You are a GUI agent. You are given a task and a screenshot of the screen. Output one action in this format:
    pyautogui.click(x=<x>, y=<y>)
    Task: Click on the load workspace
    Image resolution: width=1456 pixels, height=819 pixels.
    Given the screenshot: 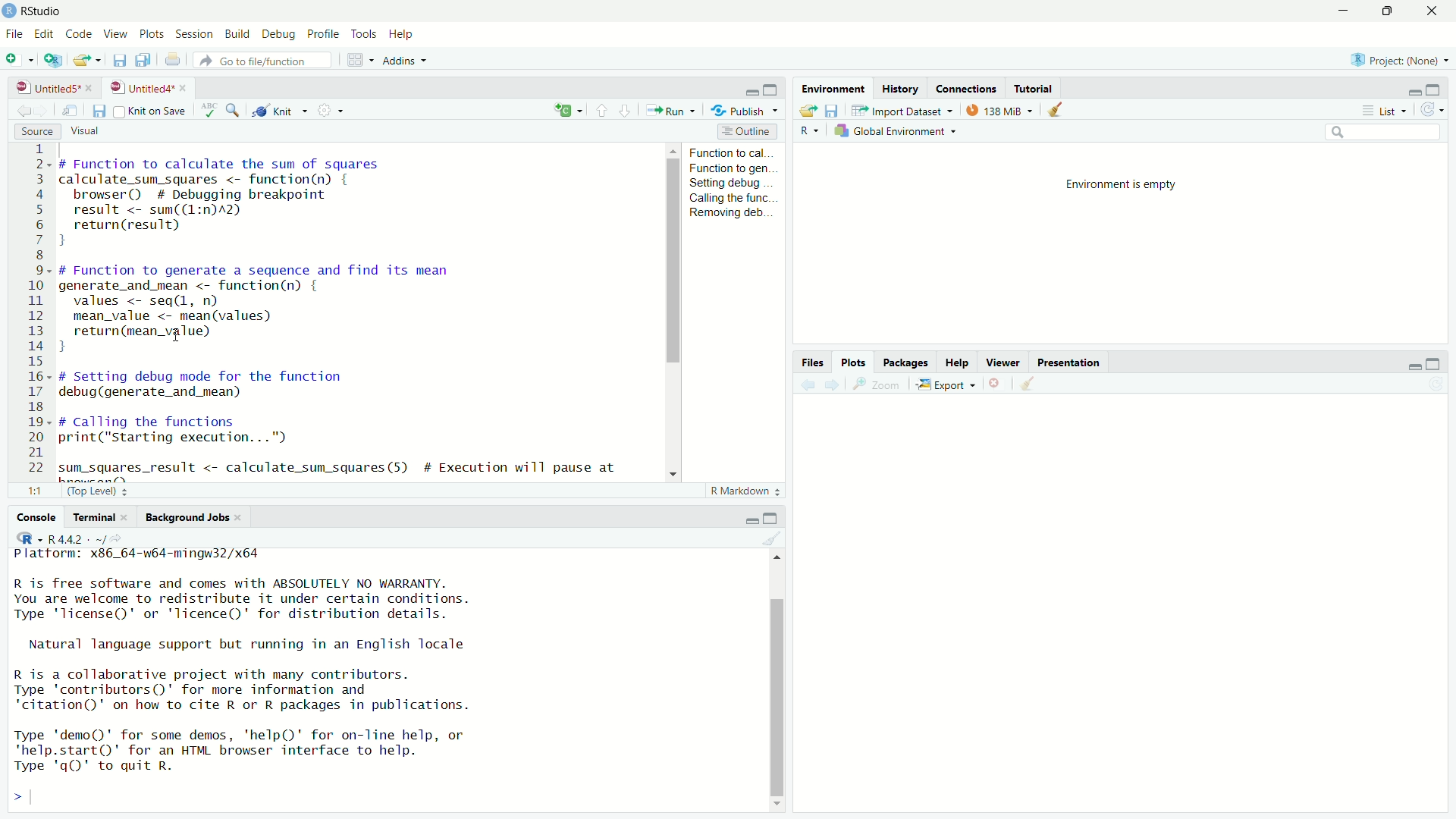 What is the action you would take?
    pyautogui.click(x=808, y=110)
    